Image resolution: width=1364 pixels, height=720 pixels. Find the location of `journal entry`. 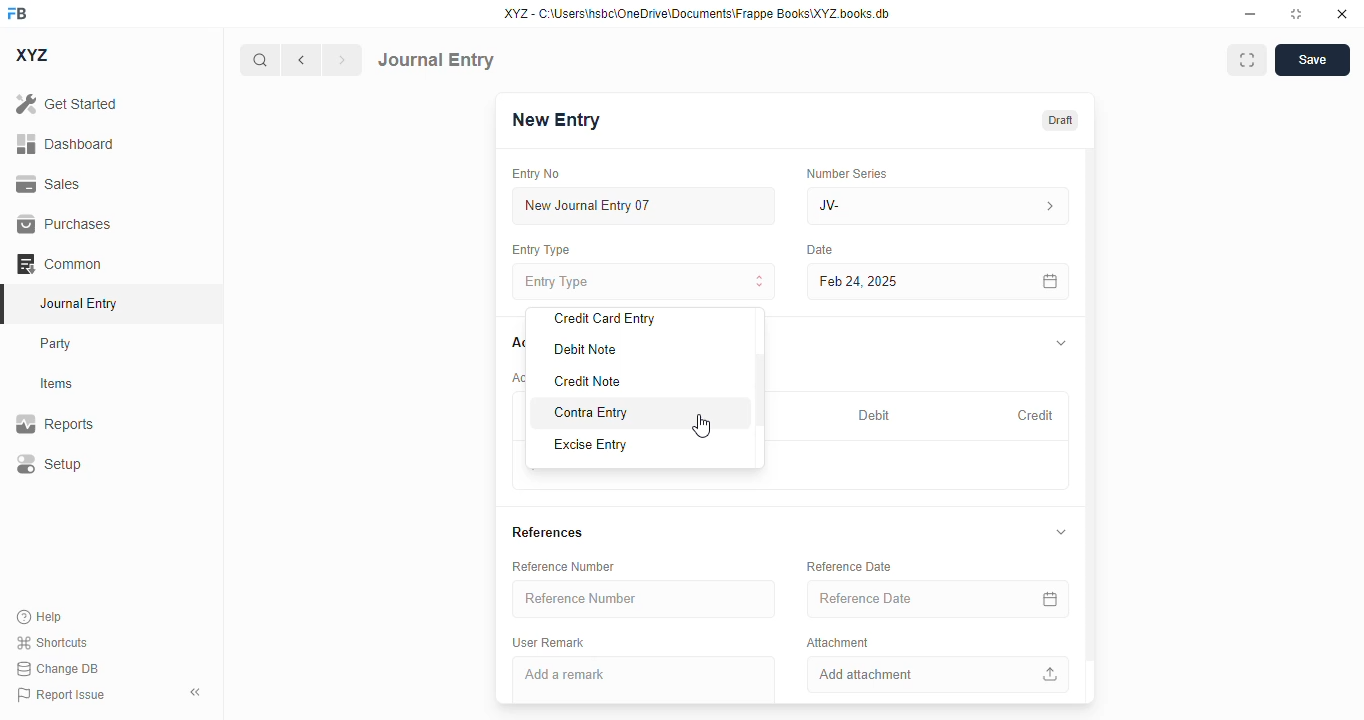

journal entry is located at coordinates (436, 60).